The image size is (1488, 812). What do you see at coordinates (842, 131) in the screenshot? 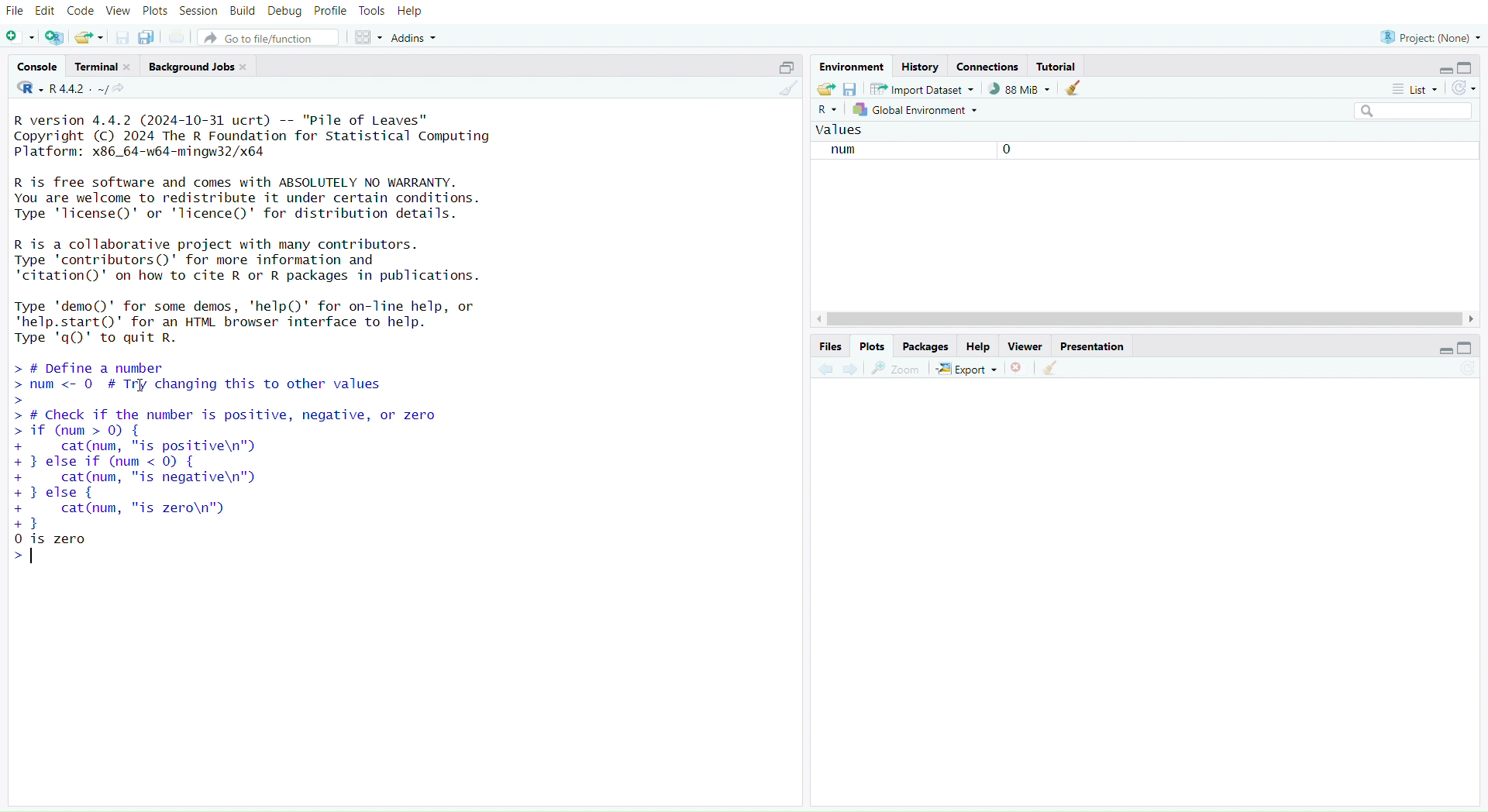
I see `values` at bounding box center [842, 131].